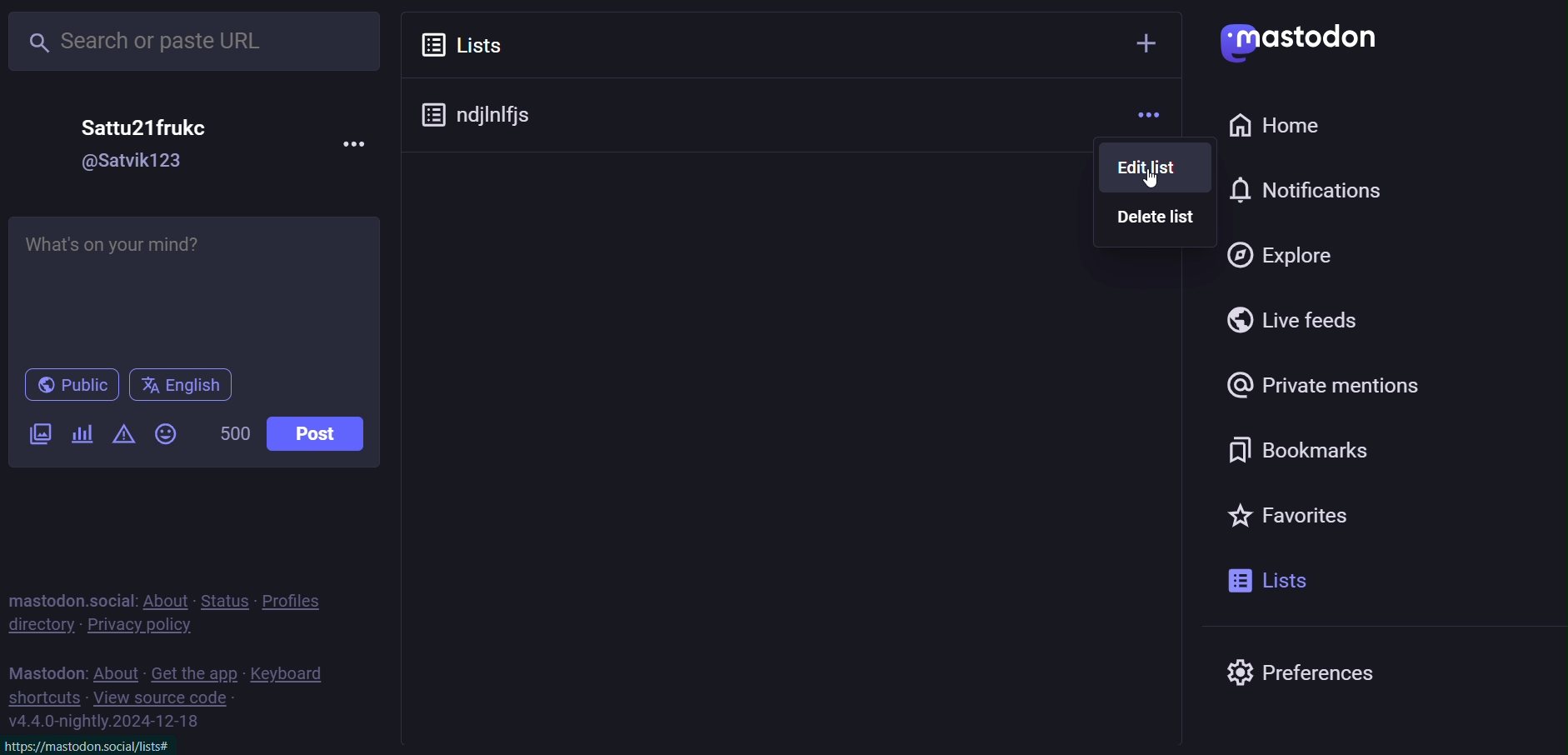 The image size is (1568, 755). I want to click on profiles, so click(299, 599).